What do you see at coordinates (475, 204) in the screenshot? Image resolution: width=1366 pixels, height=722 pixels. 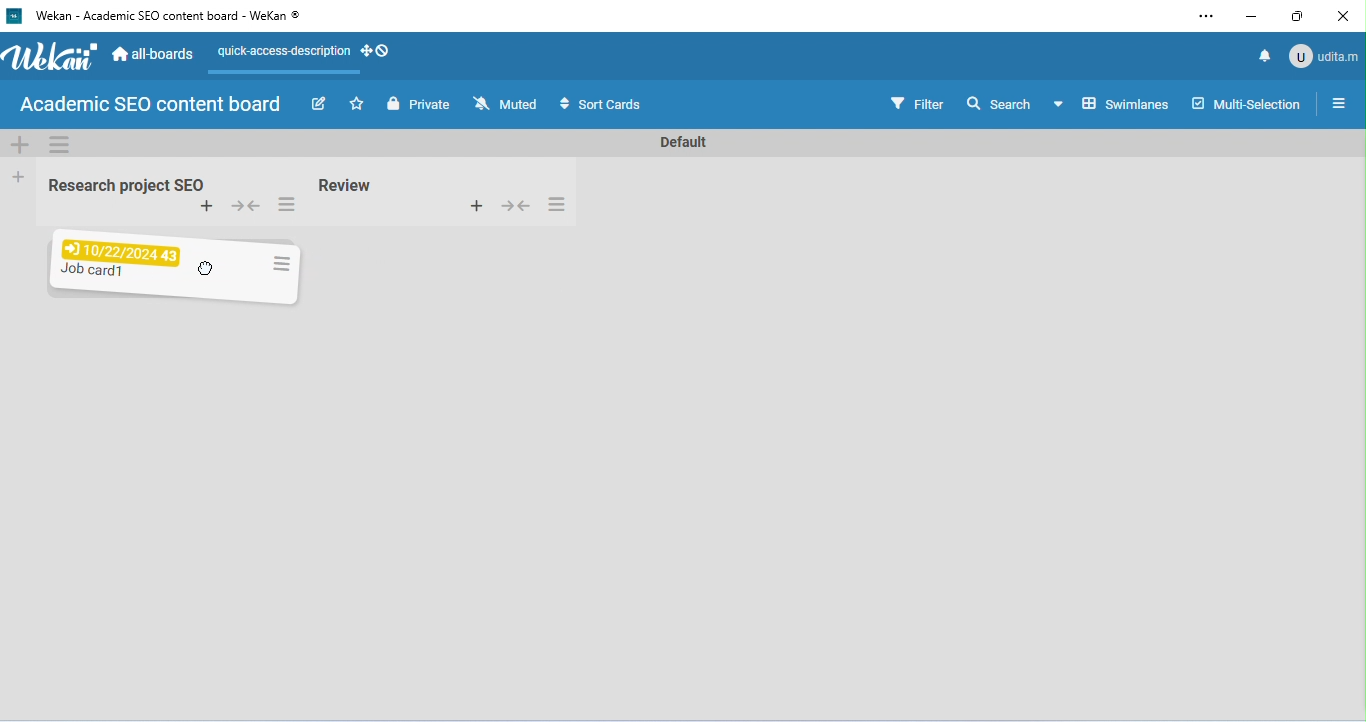 I see `add card to top of list` at bounding box center [475, 204].